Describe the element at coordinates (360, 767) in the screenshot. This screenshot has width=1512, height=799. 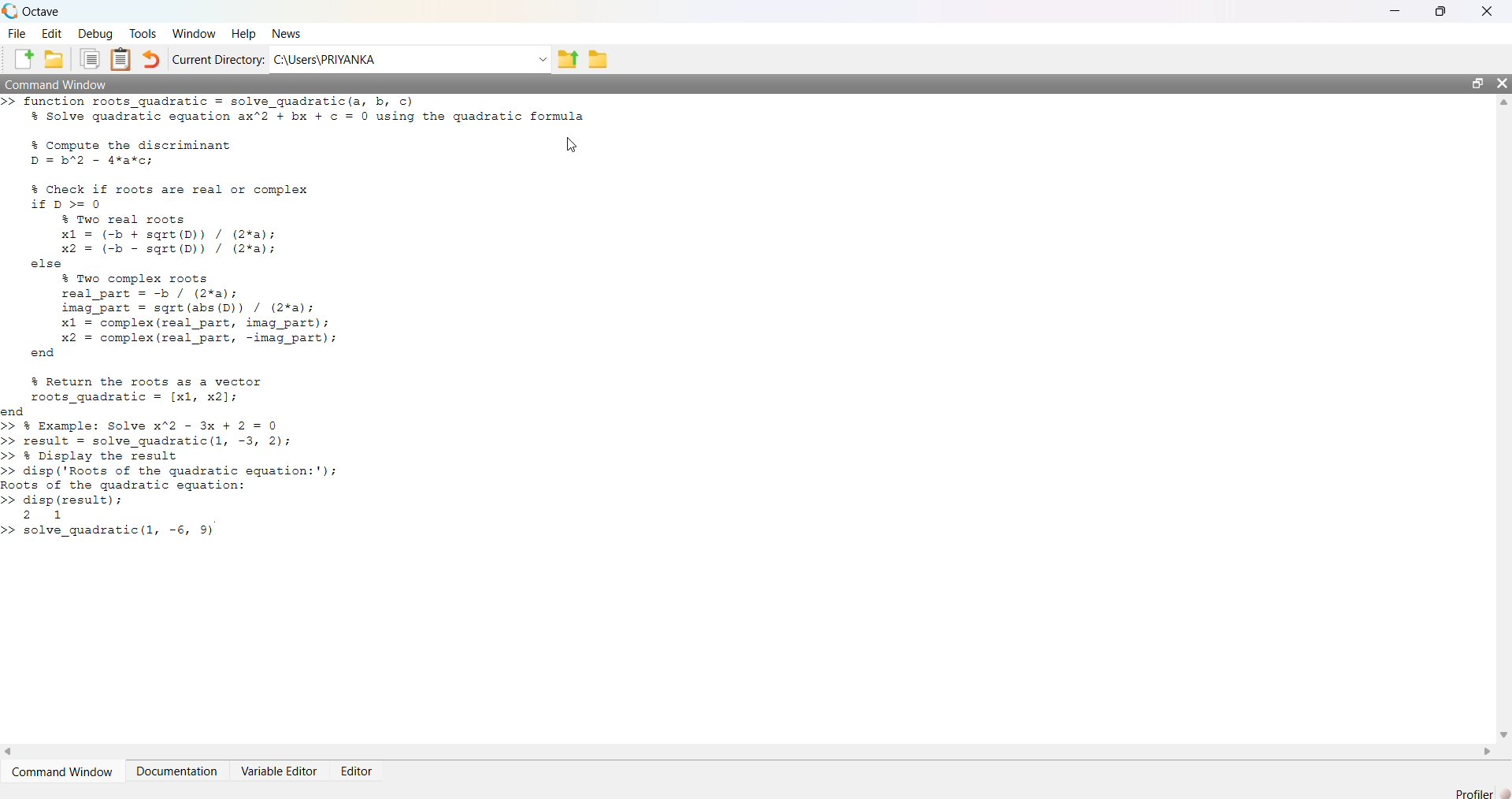
I see `Editor` at that location.